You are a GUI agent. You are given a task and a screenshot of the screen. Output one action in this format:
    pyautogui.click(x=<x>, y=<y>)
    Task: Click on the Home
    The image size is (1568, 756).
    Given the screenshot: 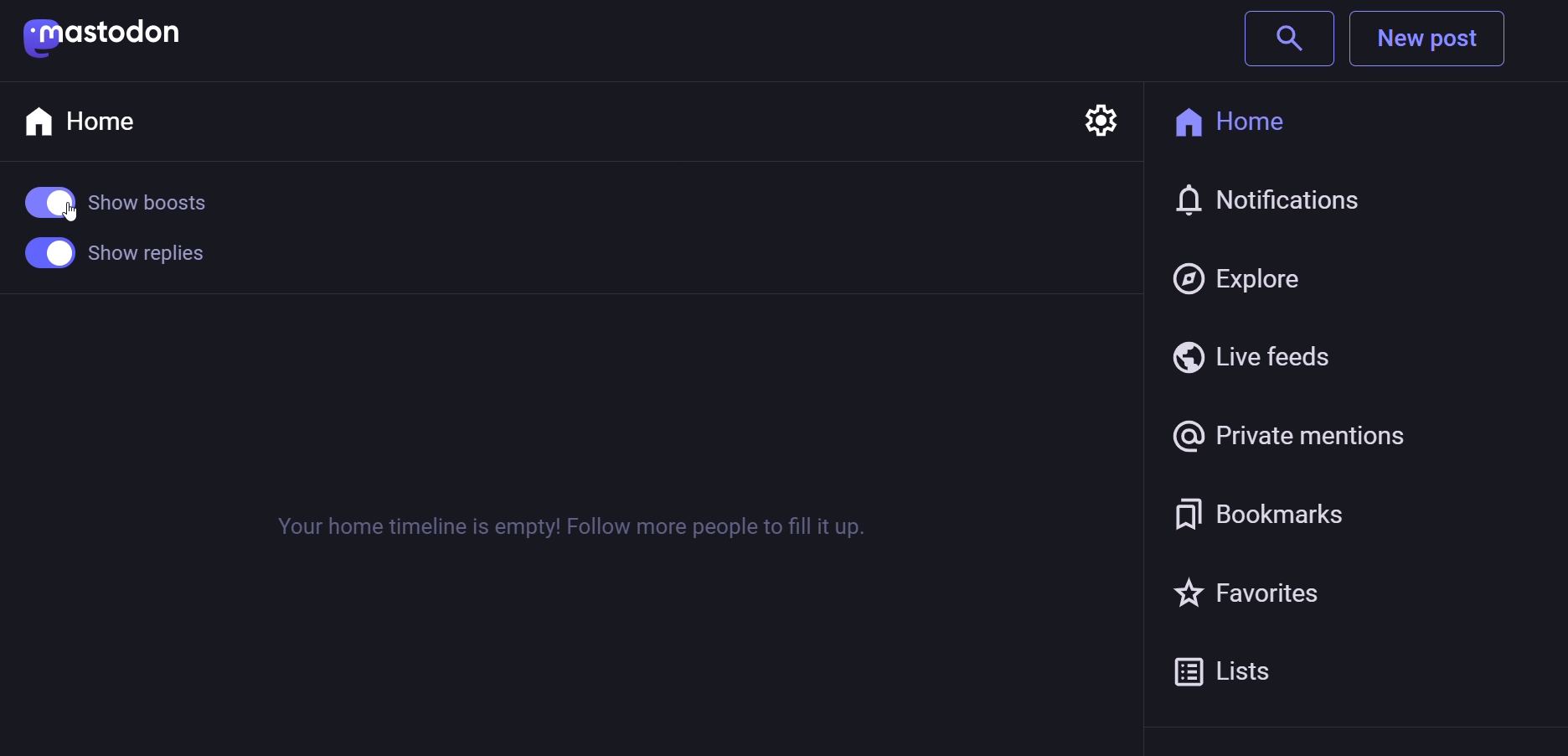 What is the action you would take?
    pyautogui.click(x=1241, y=117)
    